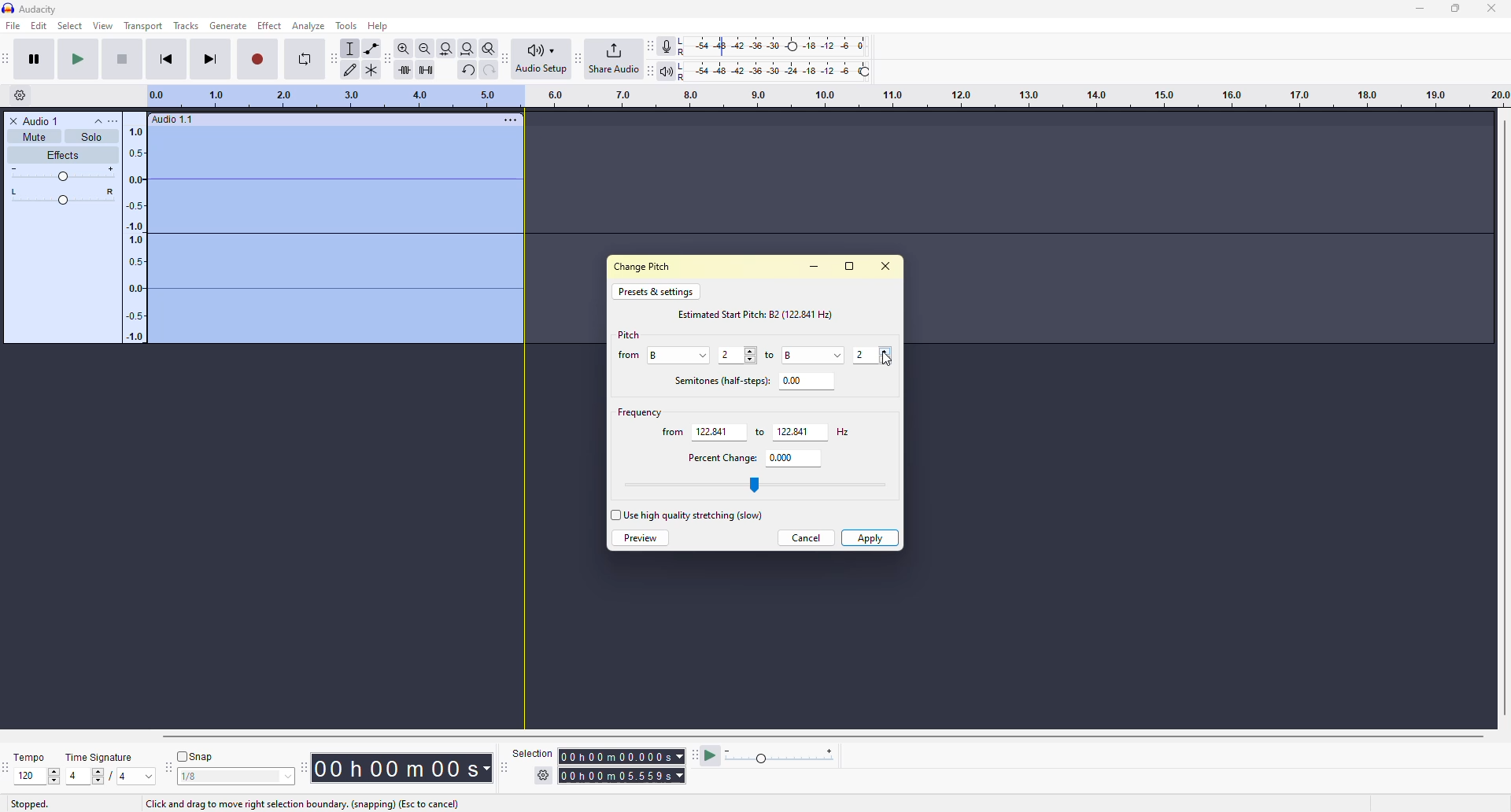  I want to click on audio, so click(173, 120).